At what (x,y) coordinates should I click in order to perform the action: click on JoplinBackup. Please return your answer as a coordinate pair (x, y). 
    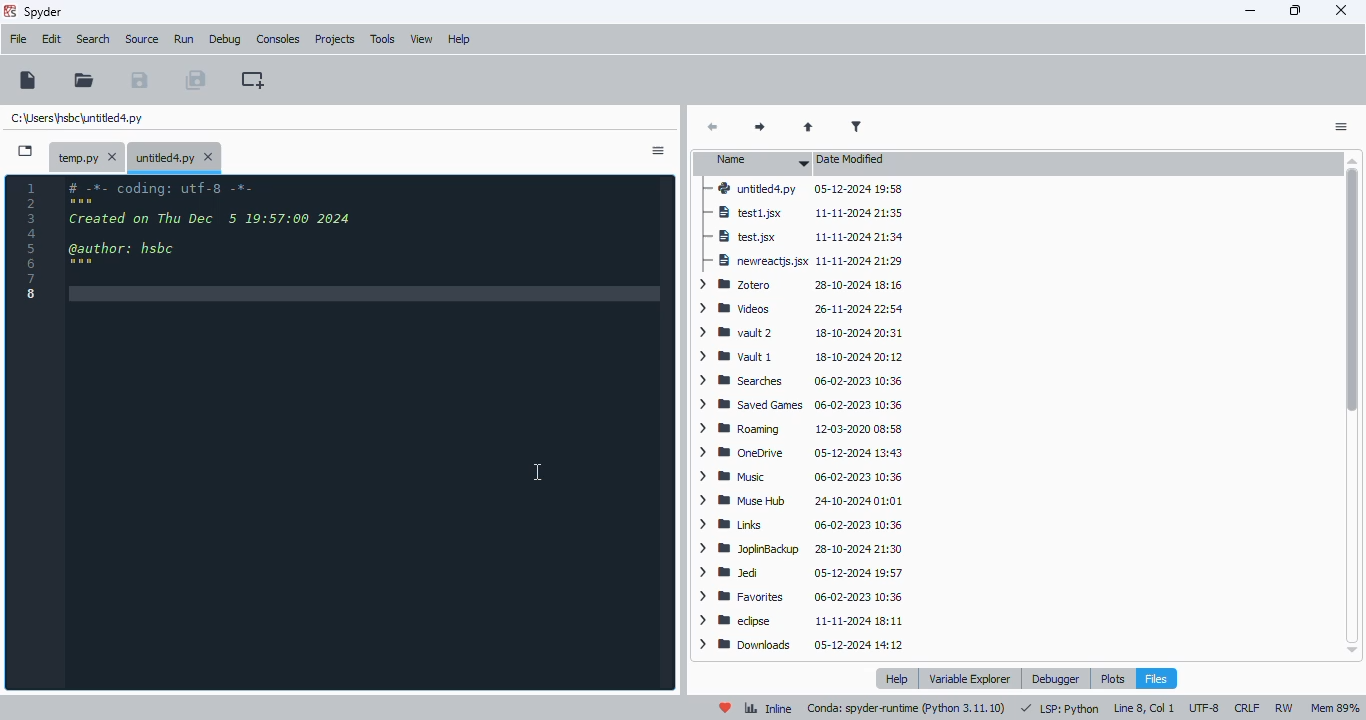
    Looking at the image, I should click on (753, 547).